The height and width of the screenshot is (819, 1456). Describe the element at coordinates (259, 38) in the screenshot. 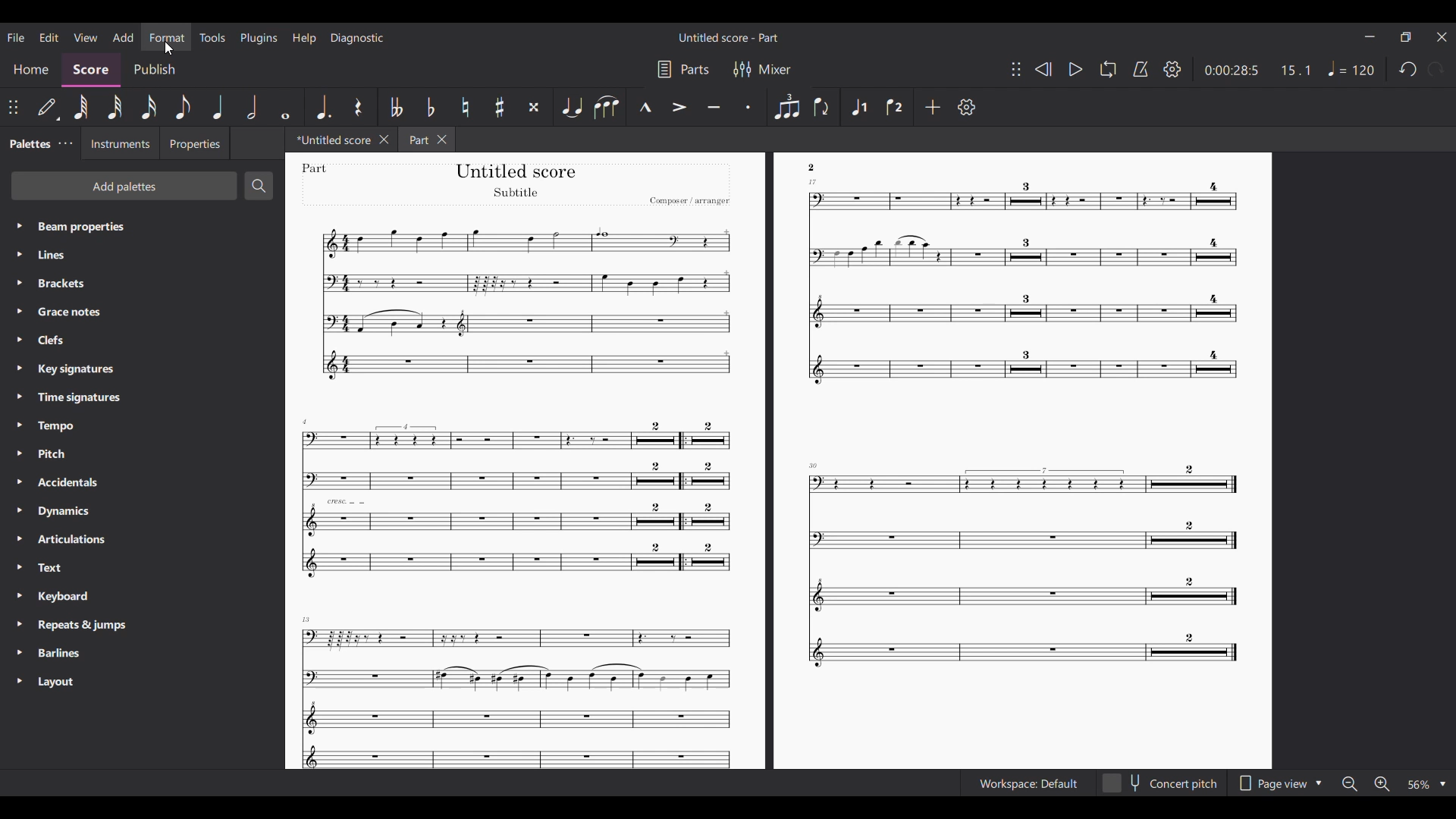

I see `Plugins menu` at that location.